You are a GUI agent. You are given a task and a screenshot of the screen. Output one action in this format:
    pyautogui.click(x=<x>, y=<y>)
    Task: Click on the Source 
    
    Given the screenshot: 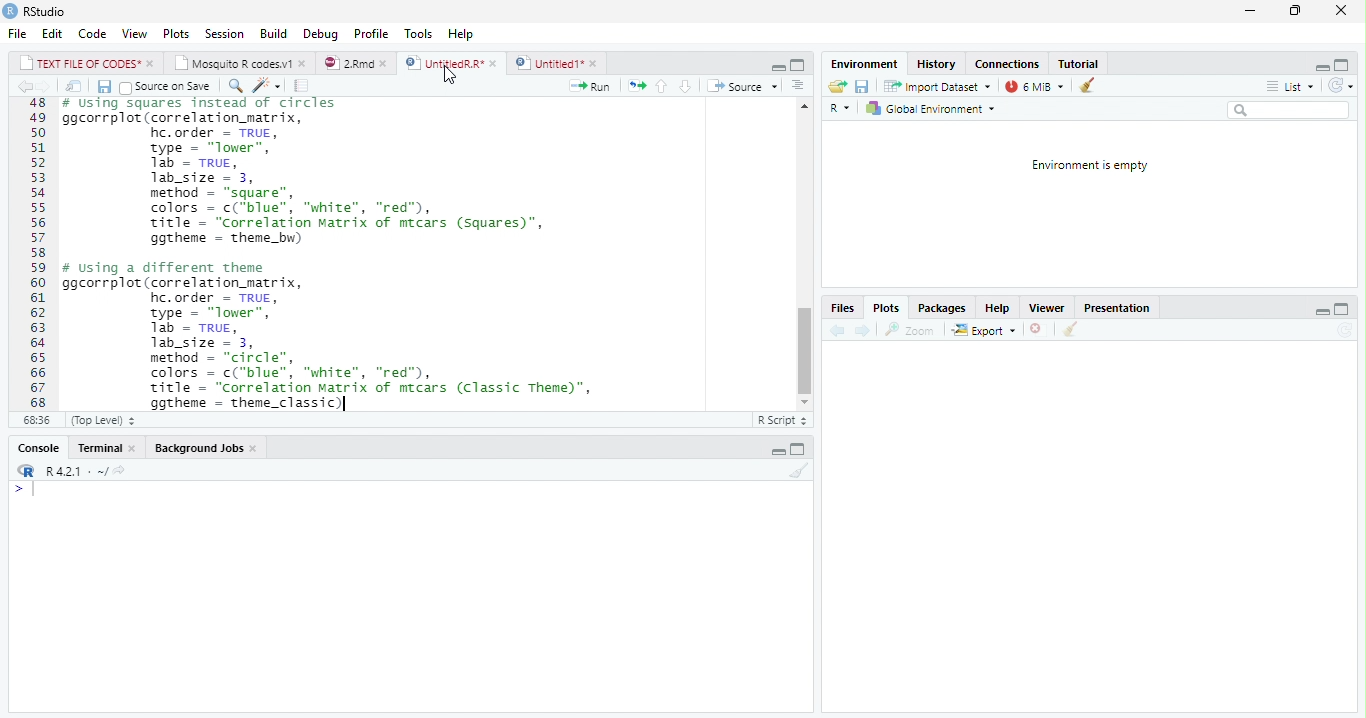 What is the action you would take?
    pyautogui.click(x=748, y=87)
    